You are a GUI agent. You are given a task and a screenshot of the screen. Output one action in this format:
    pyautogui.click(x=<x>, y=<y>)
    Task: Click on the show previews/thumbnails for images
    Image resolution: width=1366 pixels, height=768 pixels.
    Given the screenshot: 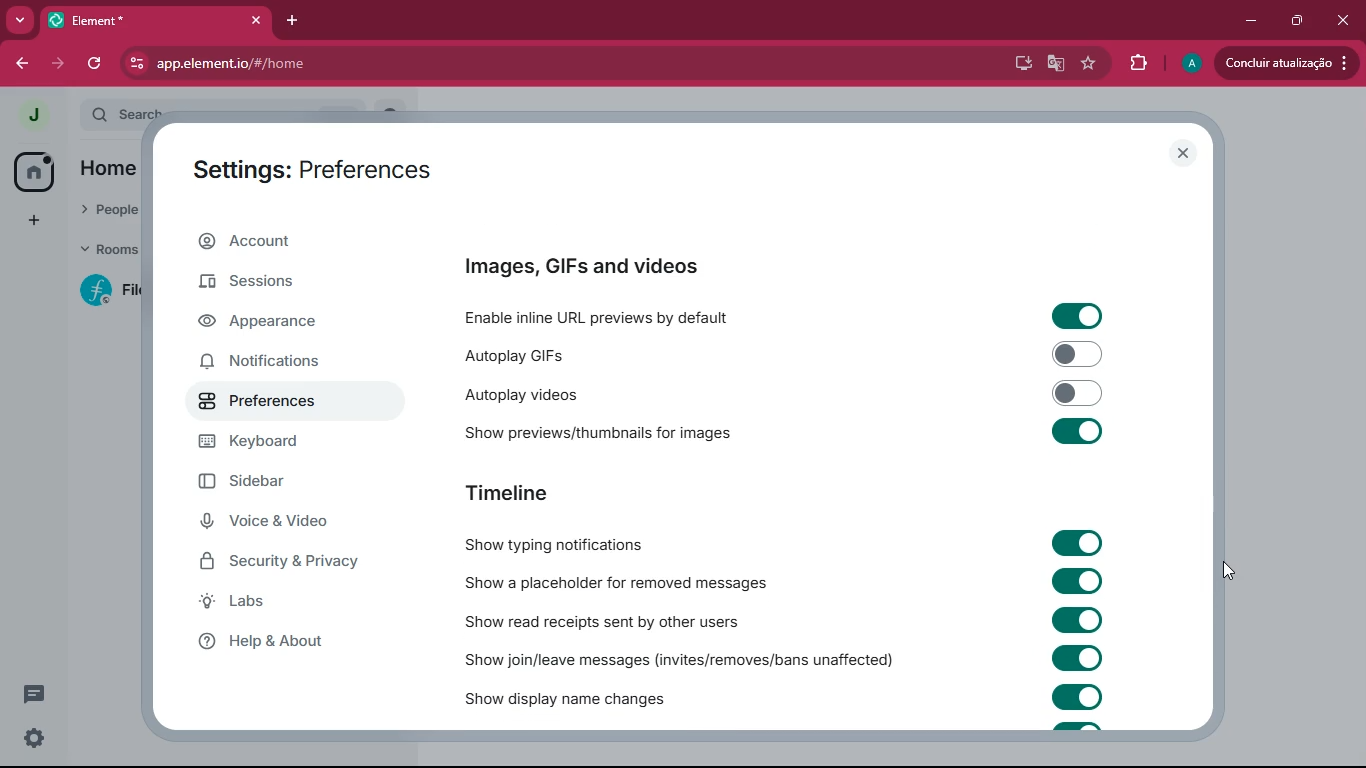 What is the action you would take?
    pyautogui.click(x=625, y=430)
    